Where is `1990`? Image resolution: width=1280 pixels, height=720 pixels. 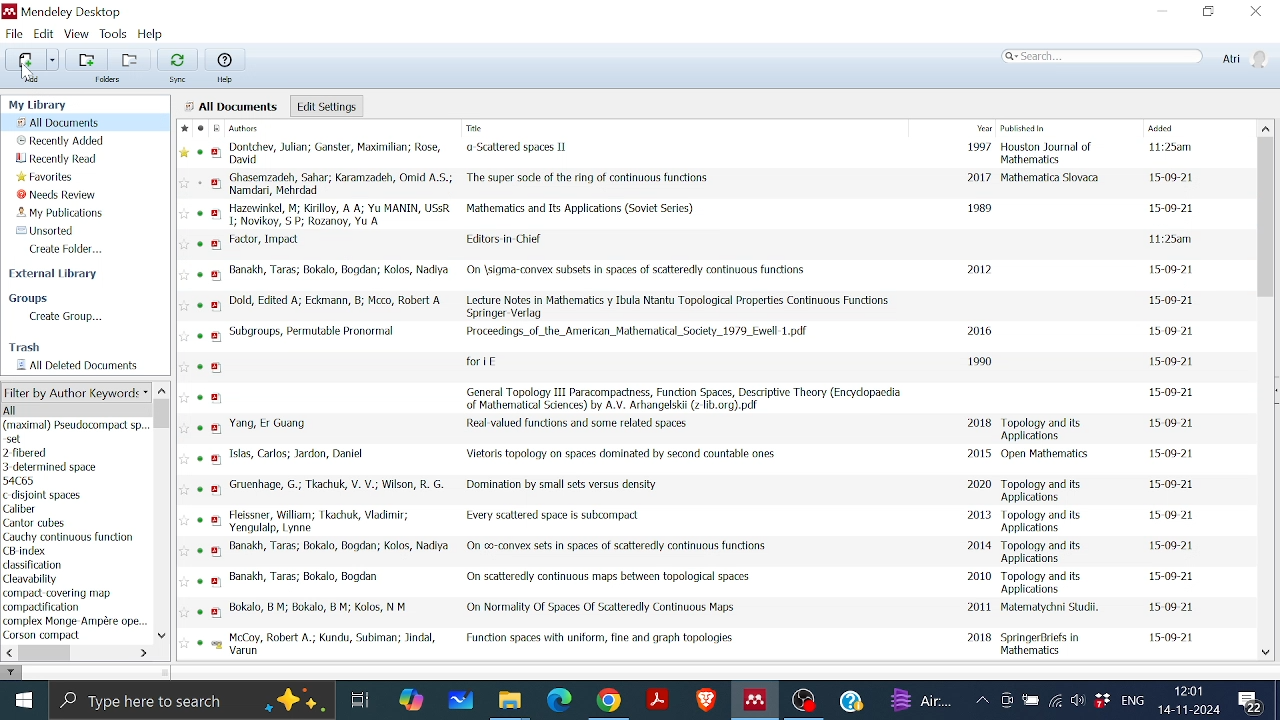 1990 is located at coordinates (980, 362).